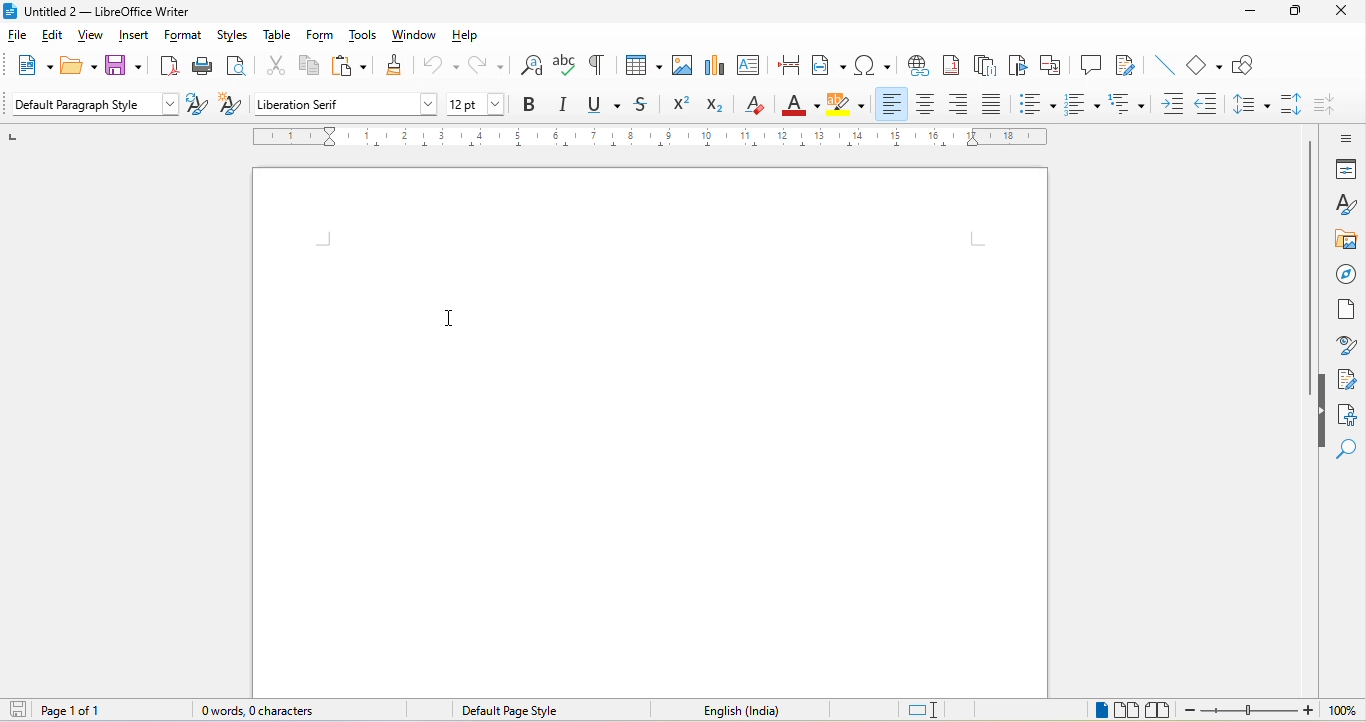 The height and width of the screenshot is (722, 1366). Describe the element at coordinates (57, 35) in the screenshot. I see `edit` at that location.